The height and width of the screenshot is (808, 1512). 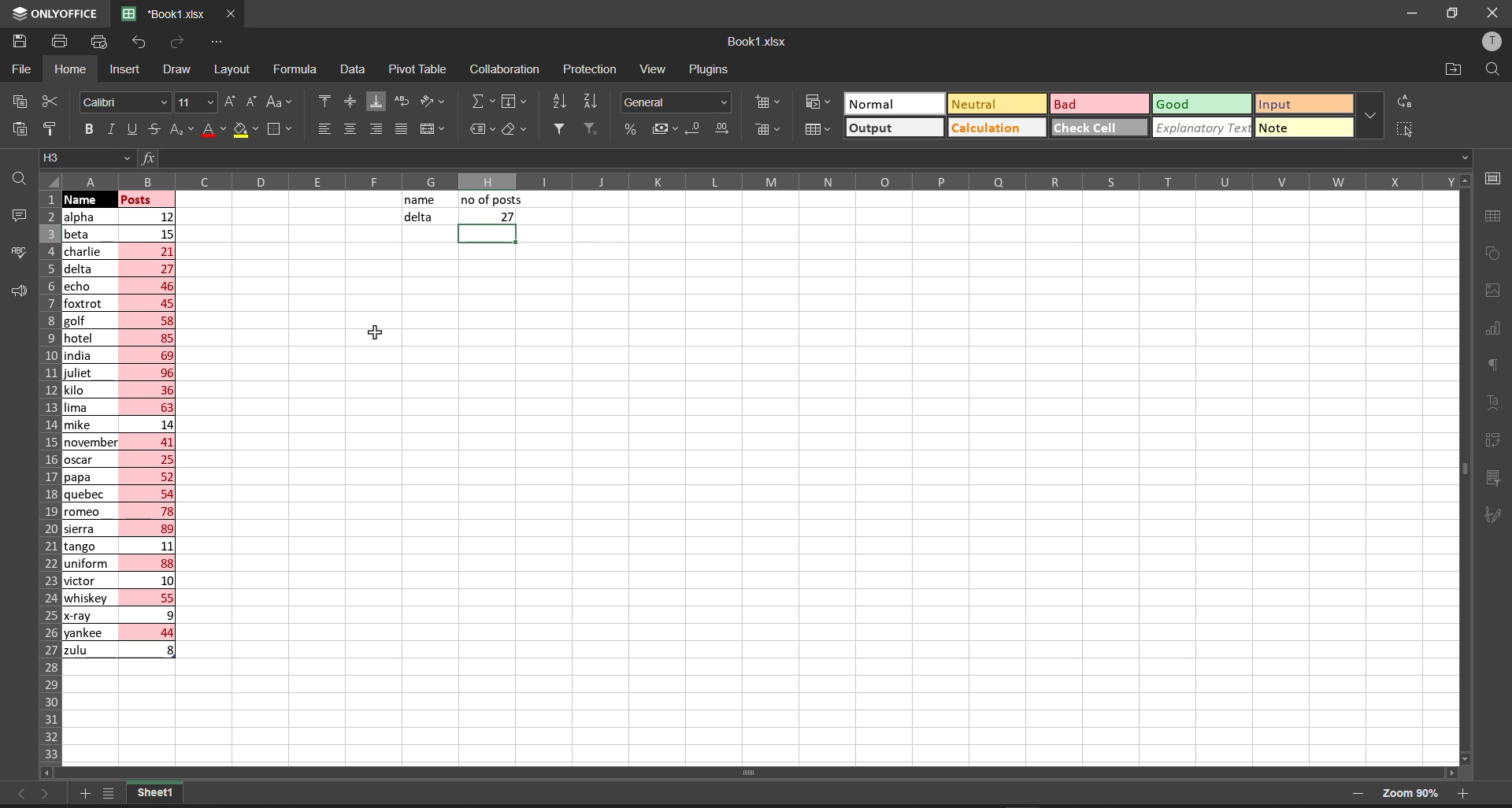 What do you see at coordinates (14, 291) in the screenshot?
I see `feedback and support` at bounding box center [14, 291].